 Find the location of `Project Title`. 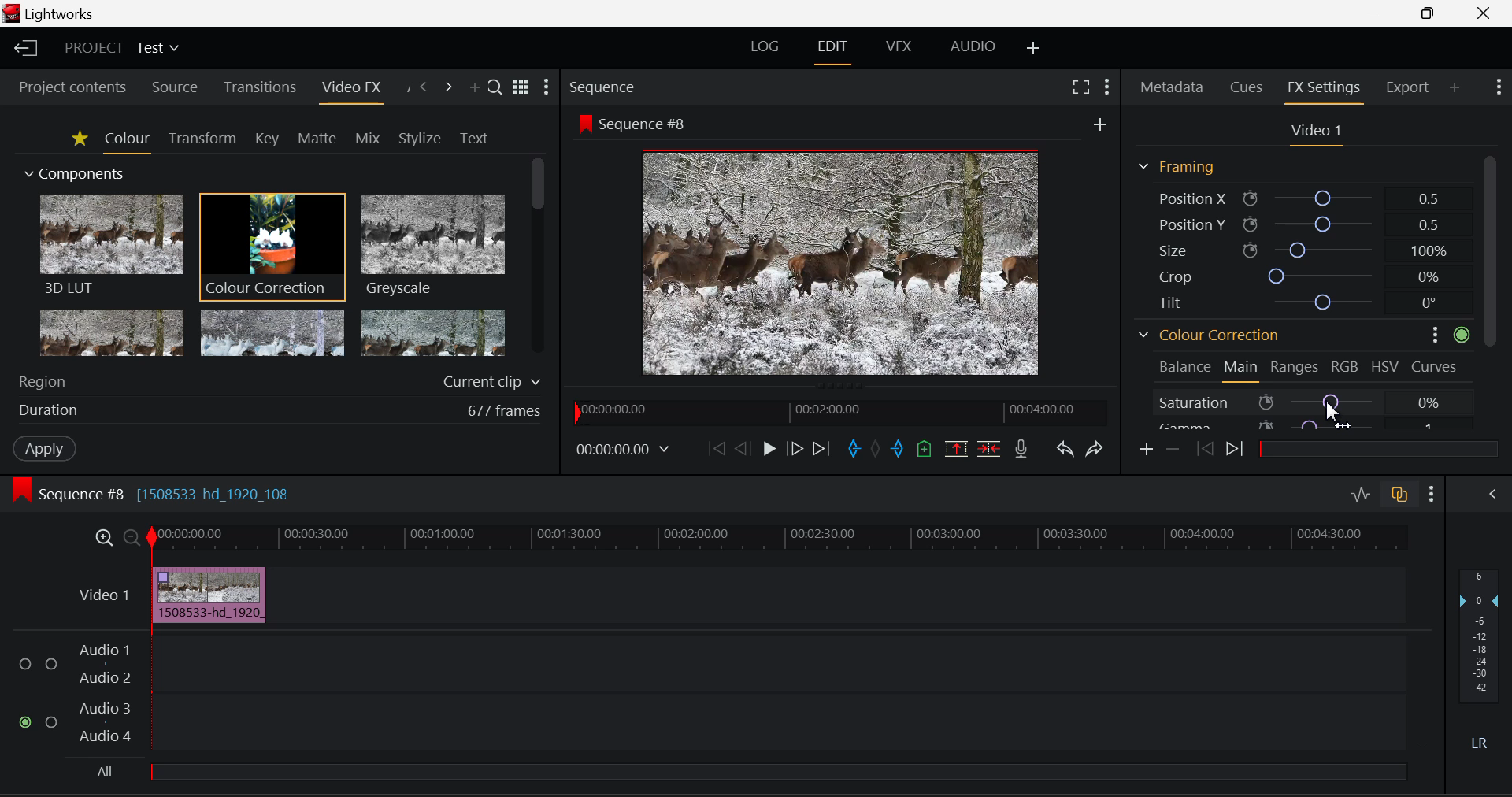

Project Title is located at coordinates (120, 48).